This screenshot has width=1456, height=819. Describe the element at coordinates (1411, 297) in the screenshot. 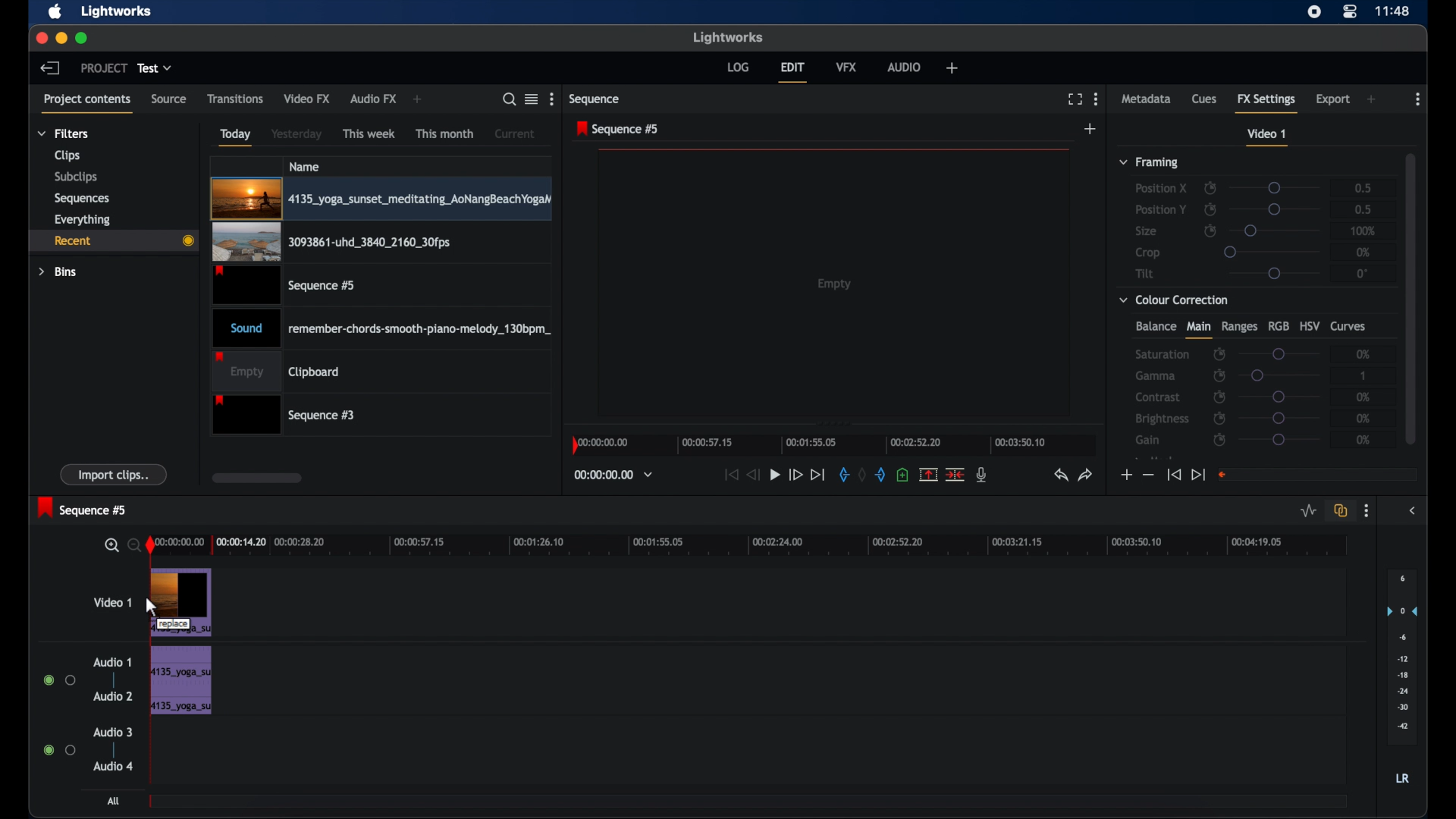

I see `scroll box` at that location.